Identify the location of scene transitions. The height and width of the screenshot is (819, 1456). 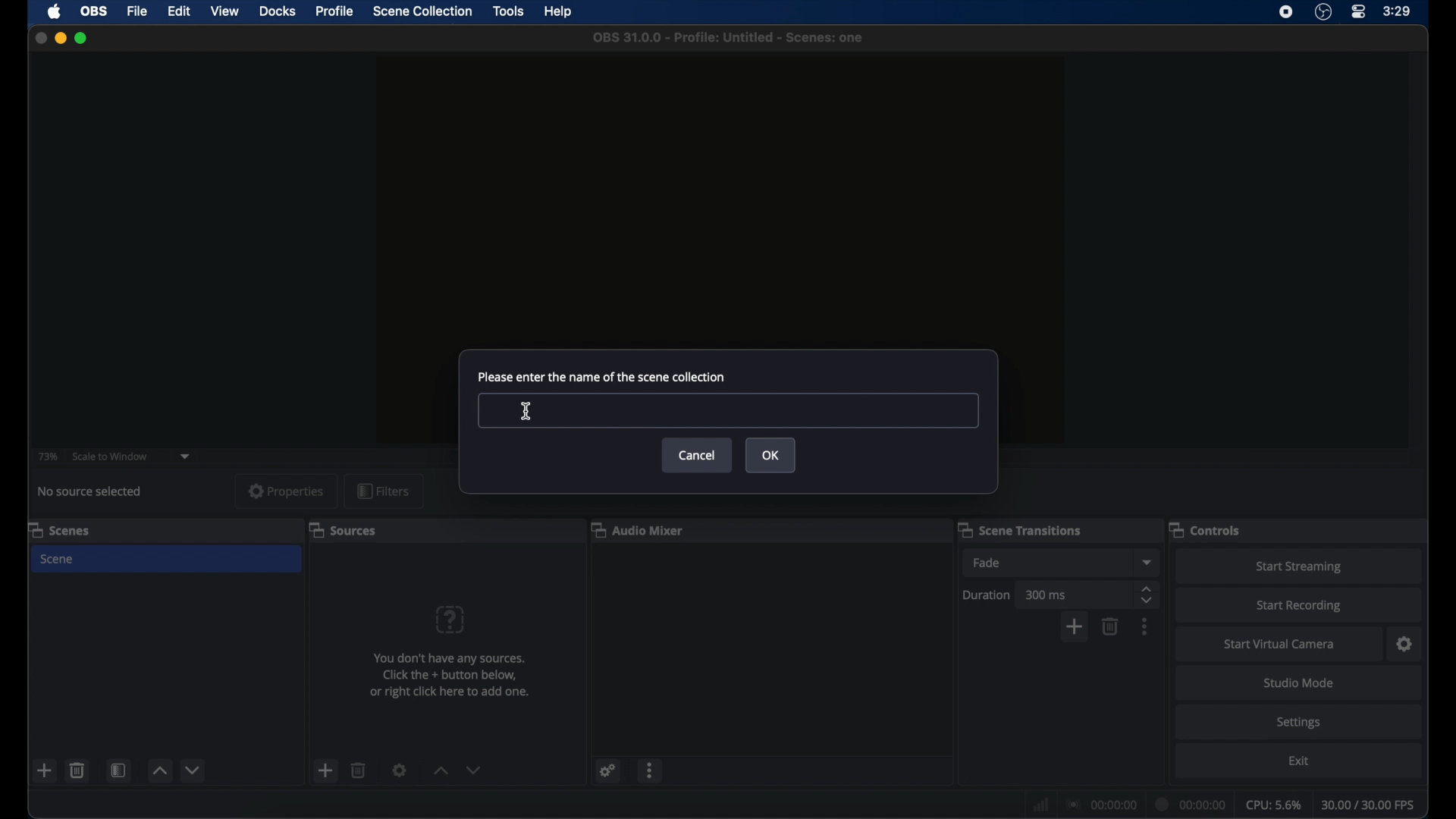
(1019, 530).